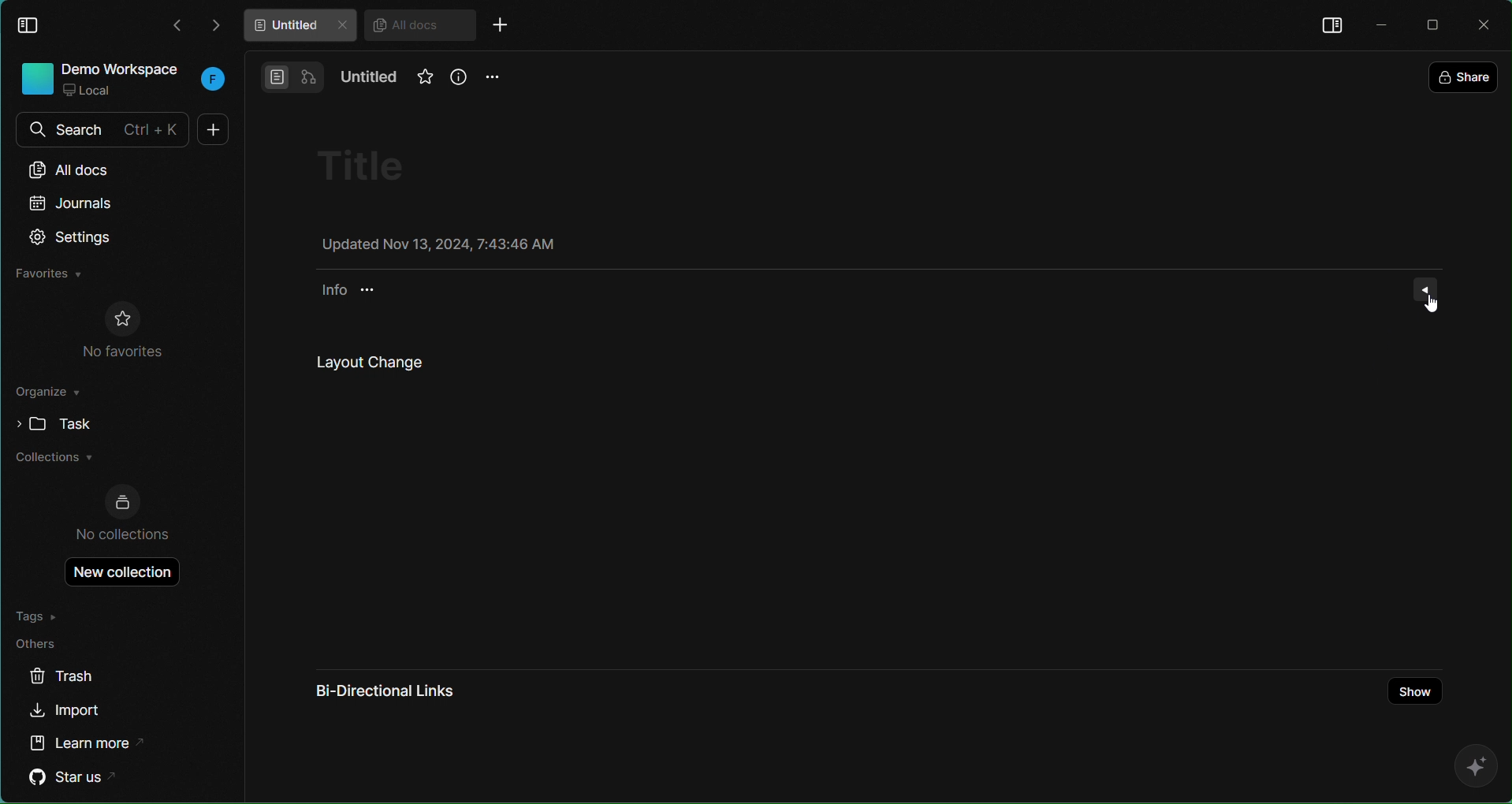 This screenshot has width=1512, height=804. What do you see at coordinates (1487, 25) in the screenshot?
I see `x` at bounding box center [1487, 25].